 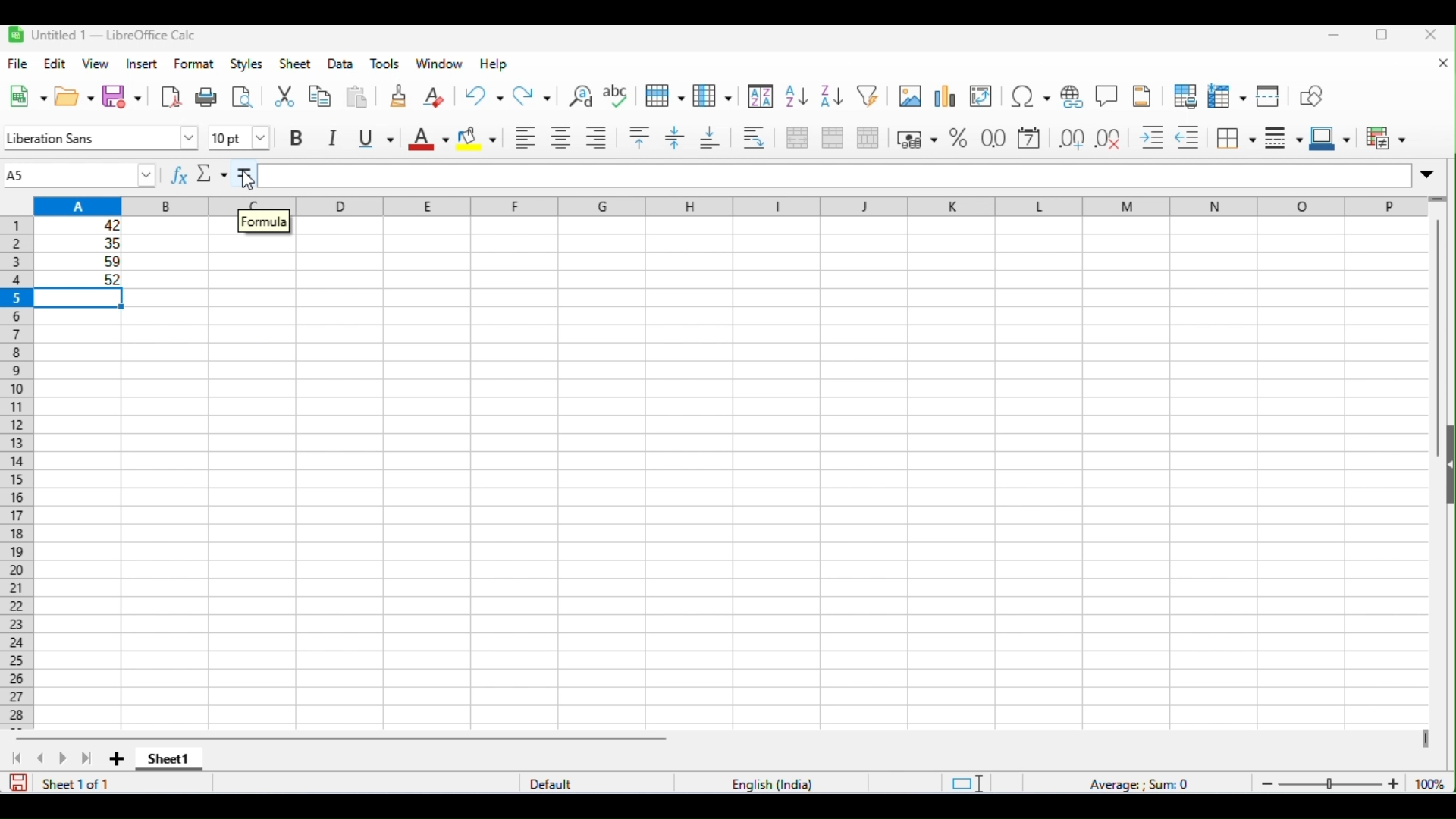 I want to click on copy, so click(x=322, y=96).